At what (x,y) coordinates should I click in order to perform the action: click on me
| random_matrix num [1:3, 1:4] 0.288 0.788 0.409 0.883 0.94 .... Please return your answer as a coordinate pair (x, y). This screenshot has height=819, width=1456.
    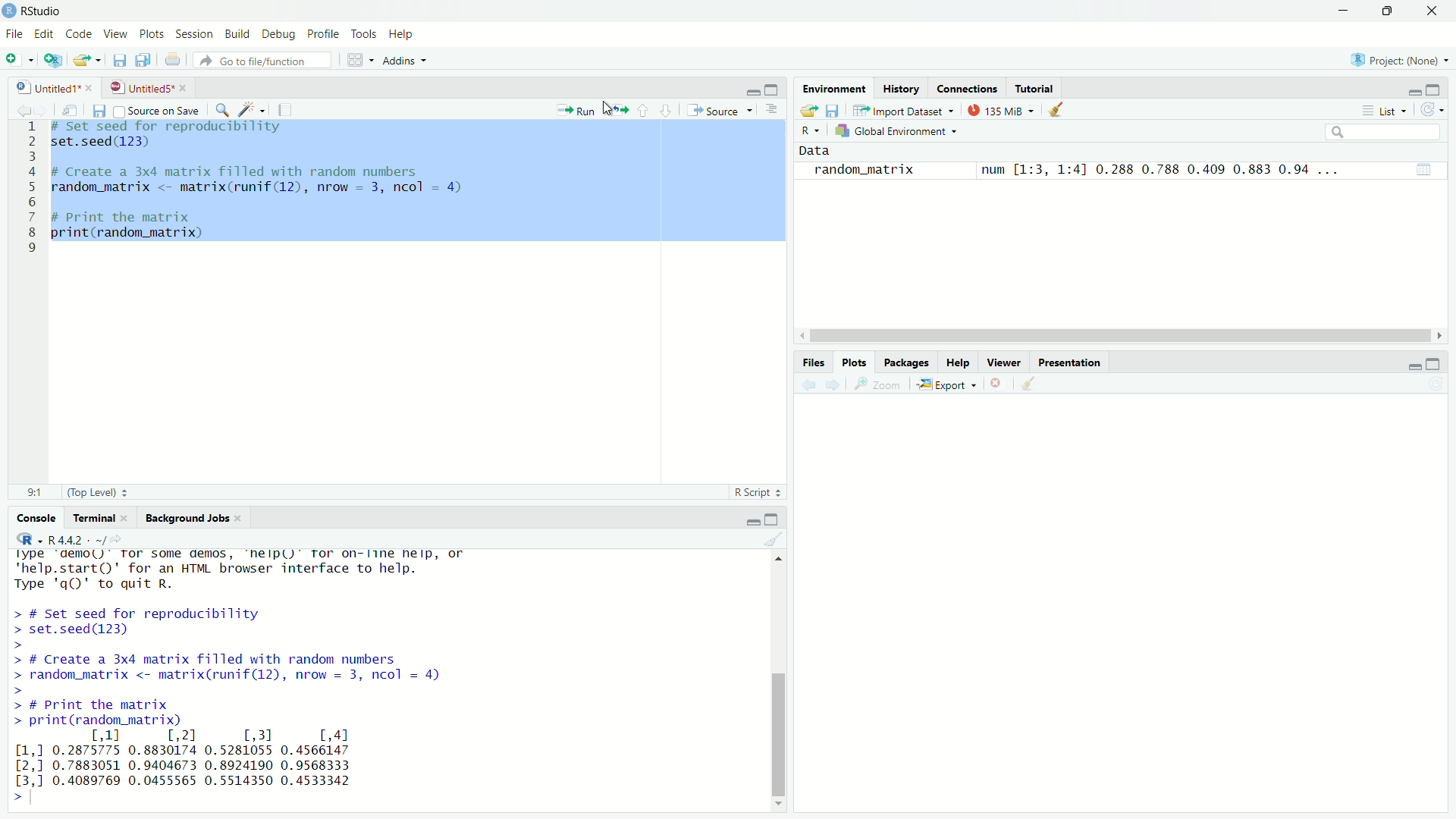
    Looking at the image, I should click on (1081, 174).